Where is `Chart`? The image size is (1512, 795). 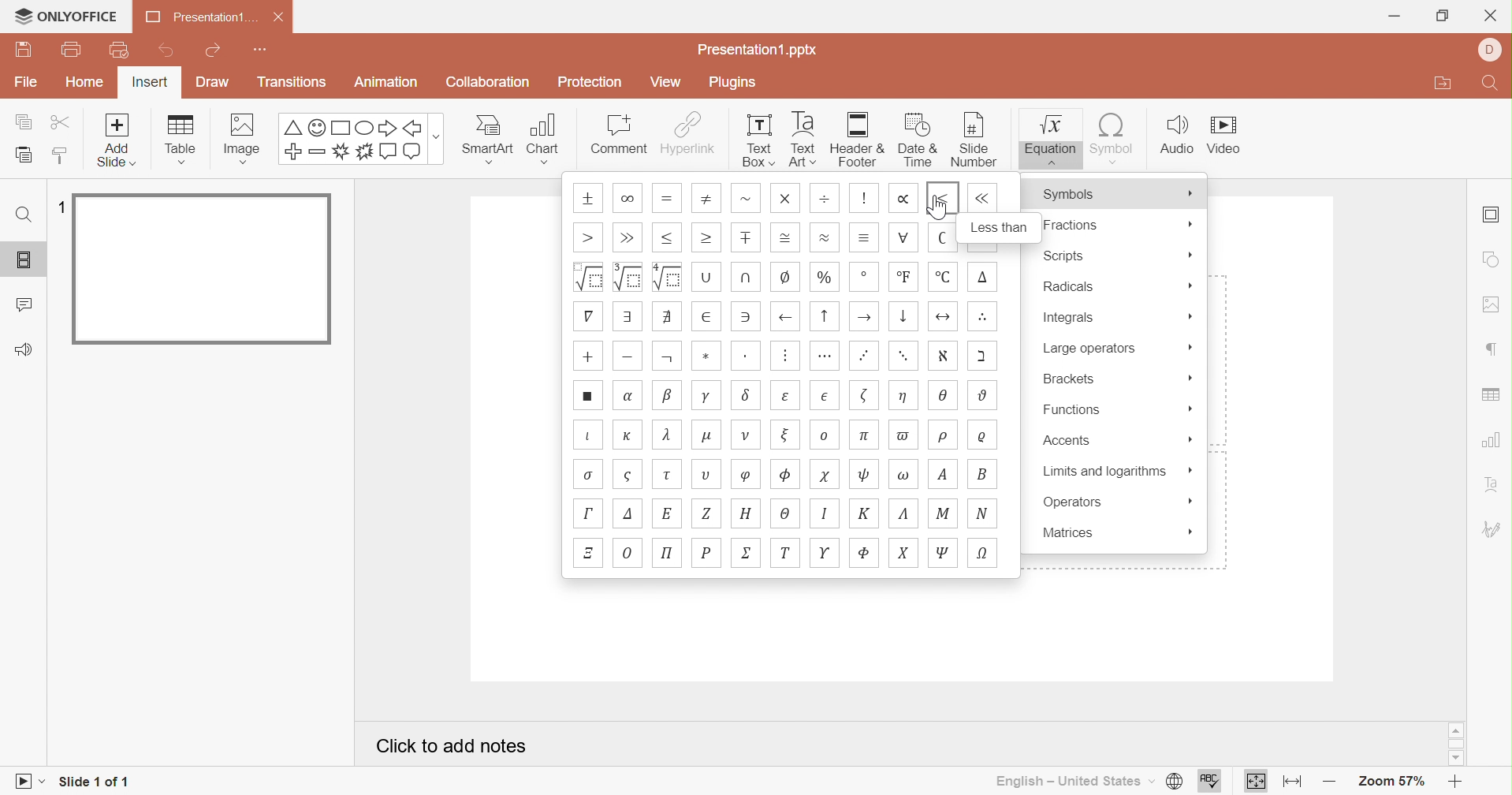
Chart is located at coordinates (546, 137).